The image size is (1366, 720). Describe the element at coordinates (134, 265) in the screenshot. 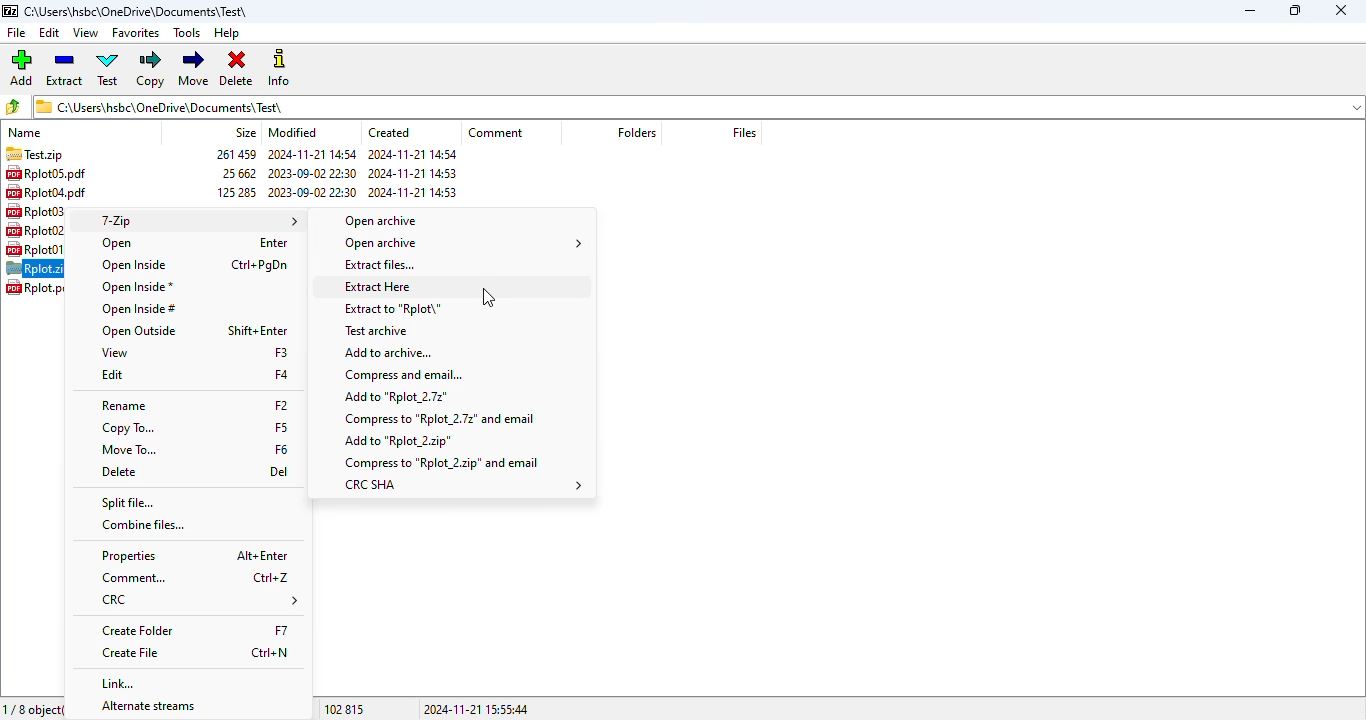

I see `open inside` at that location.